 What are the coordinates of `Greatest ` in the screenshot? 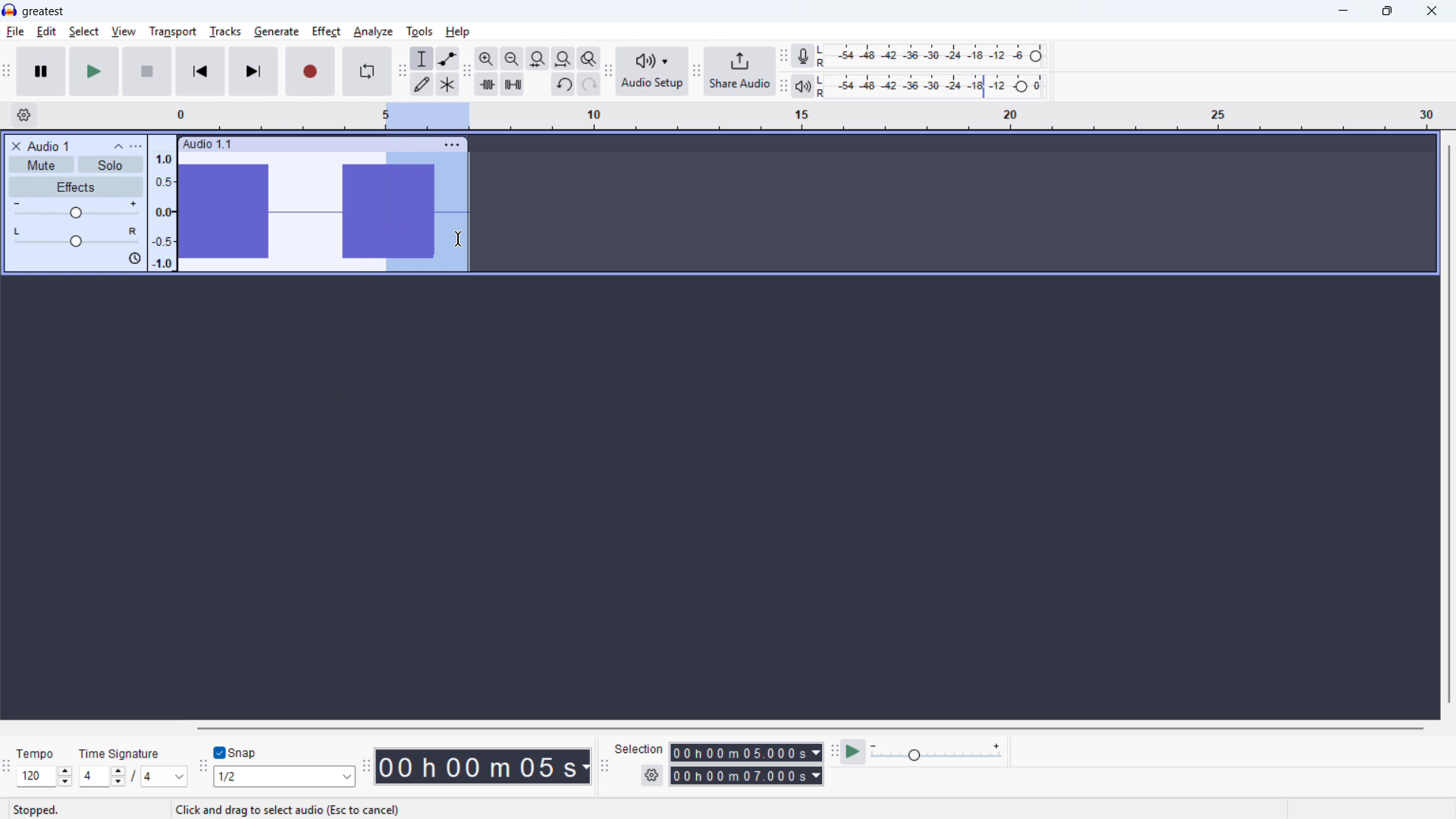 It's located at (42, 12).